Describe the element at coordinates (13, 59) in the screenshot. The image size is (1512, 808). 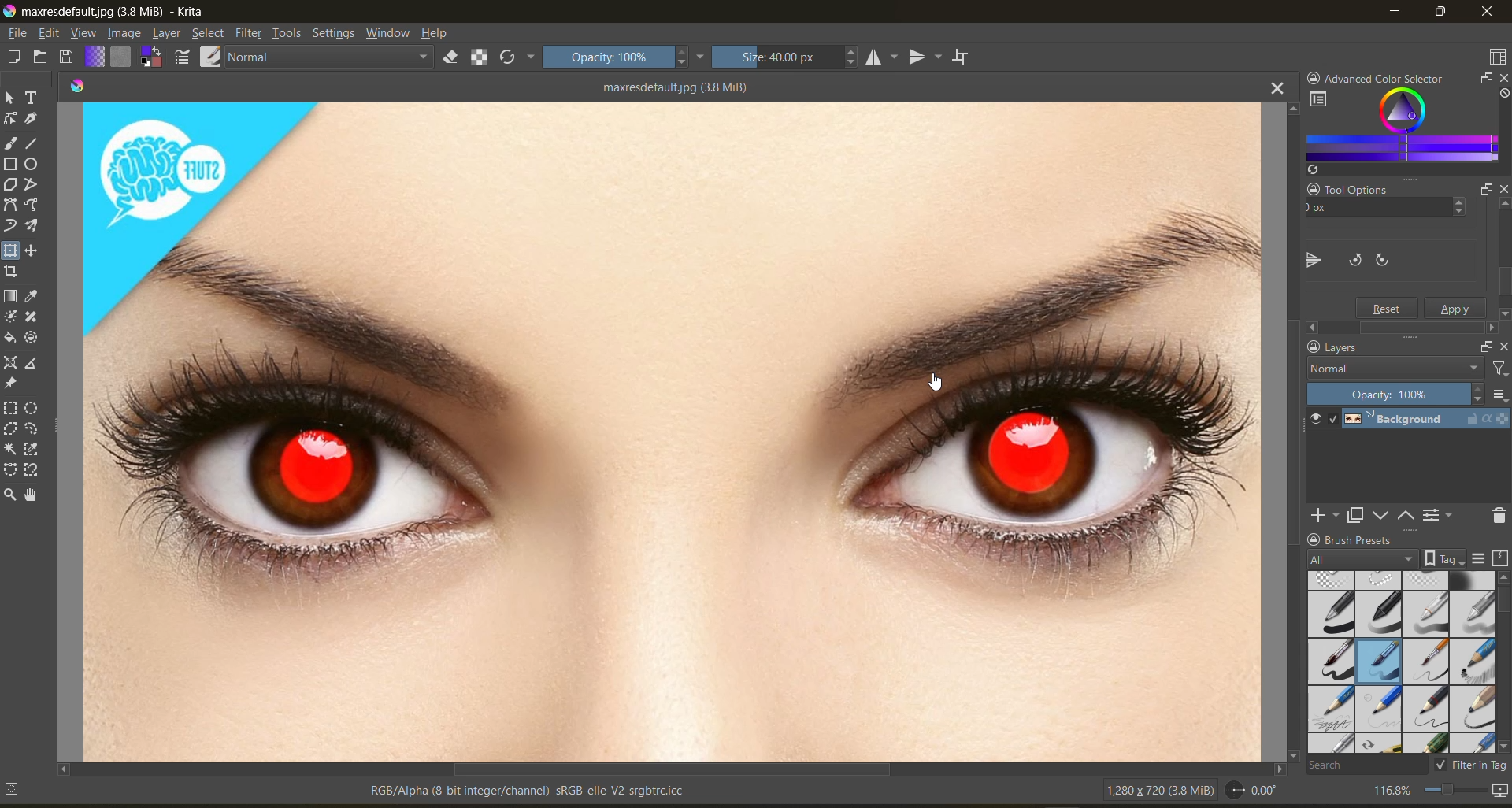
I see `create` at that location.